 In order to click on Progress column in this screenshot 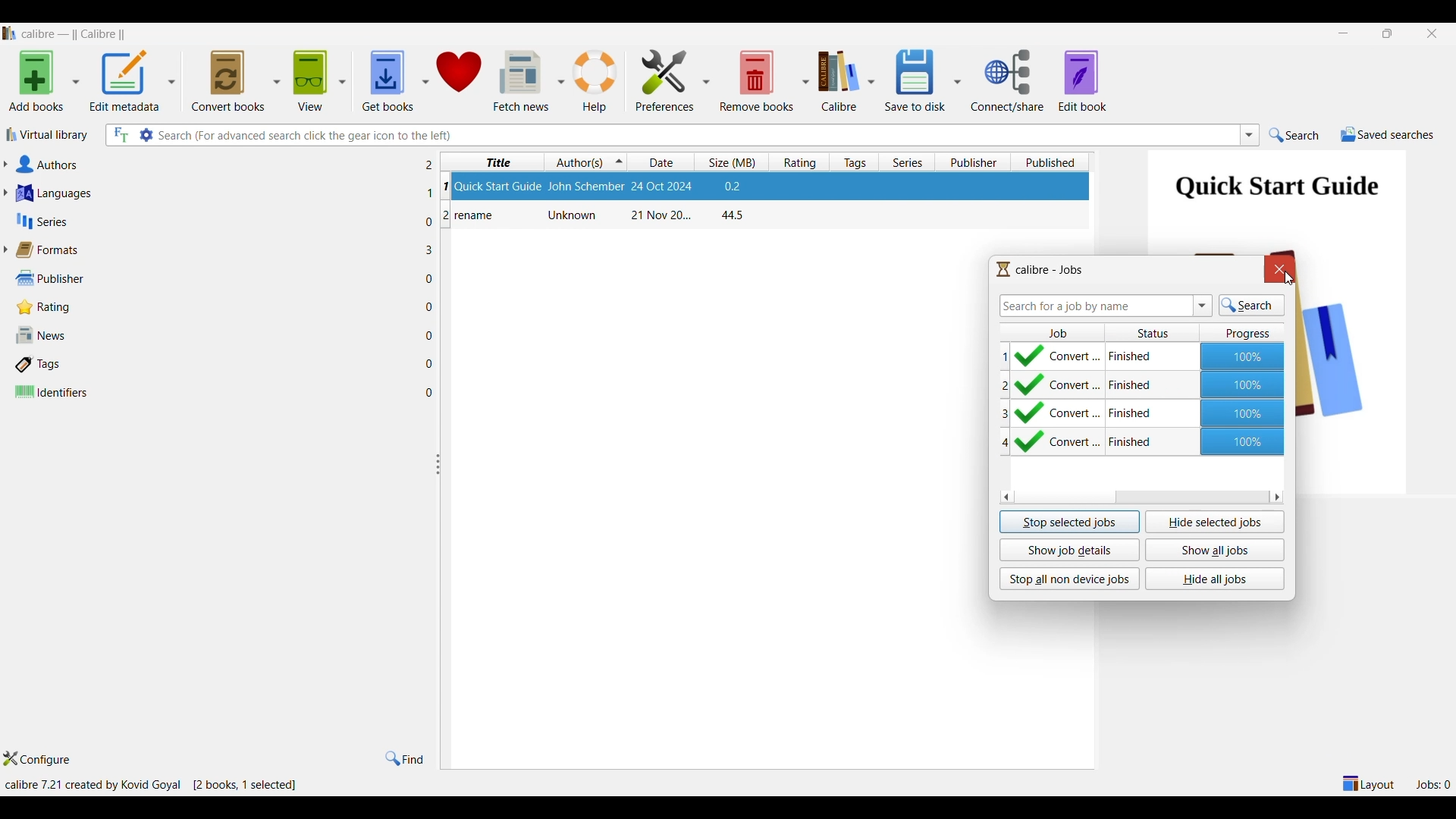, I will do `click(1242, 332)`.